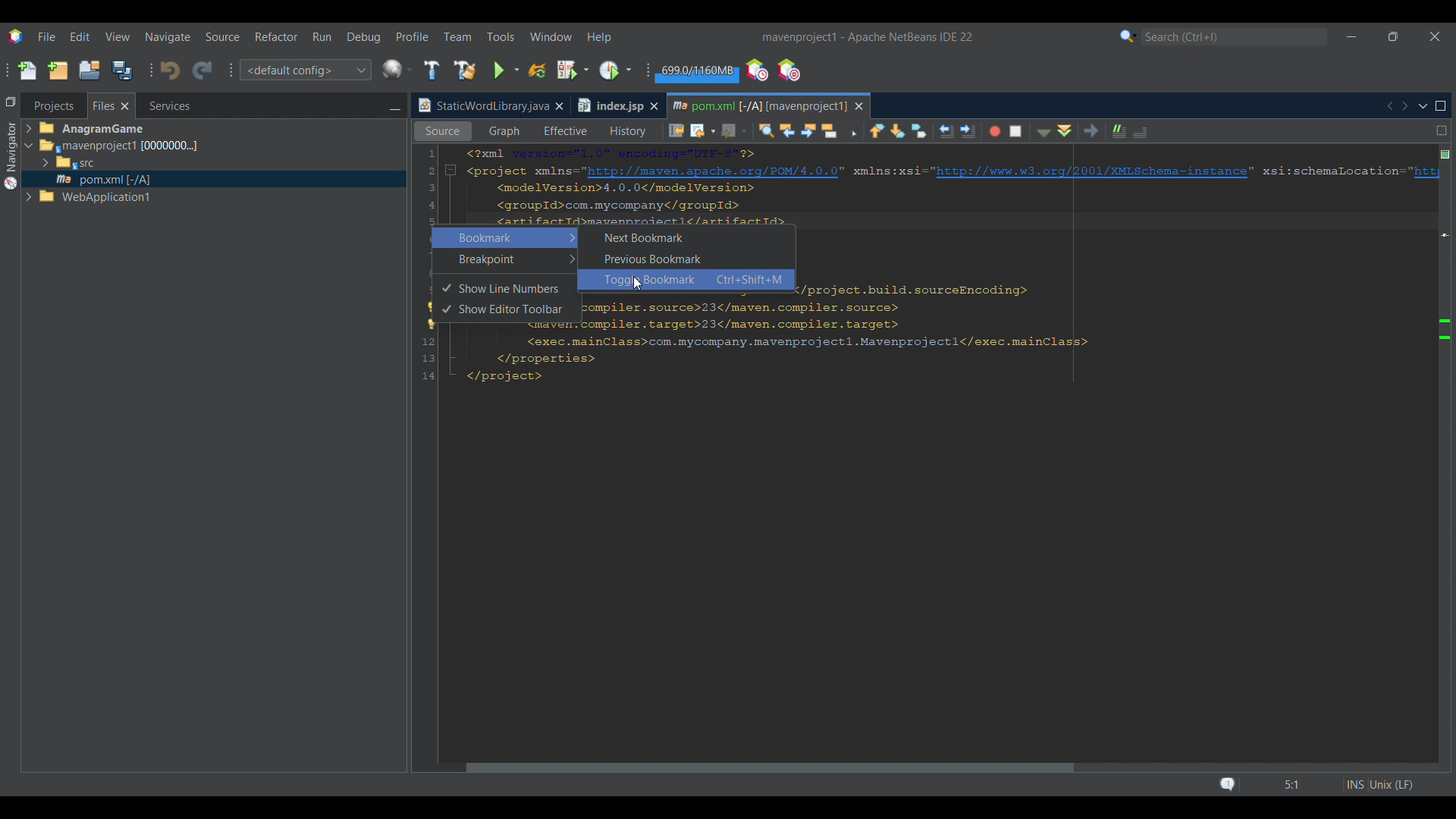  Describe the element at coordinates (482, 106) in the screenshot. I see `Current tab highlighted` at that location.